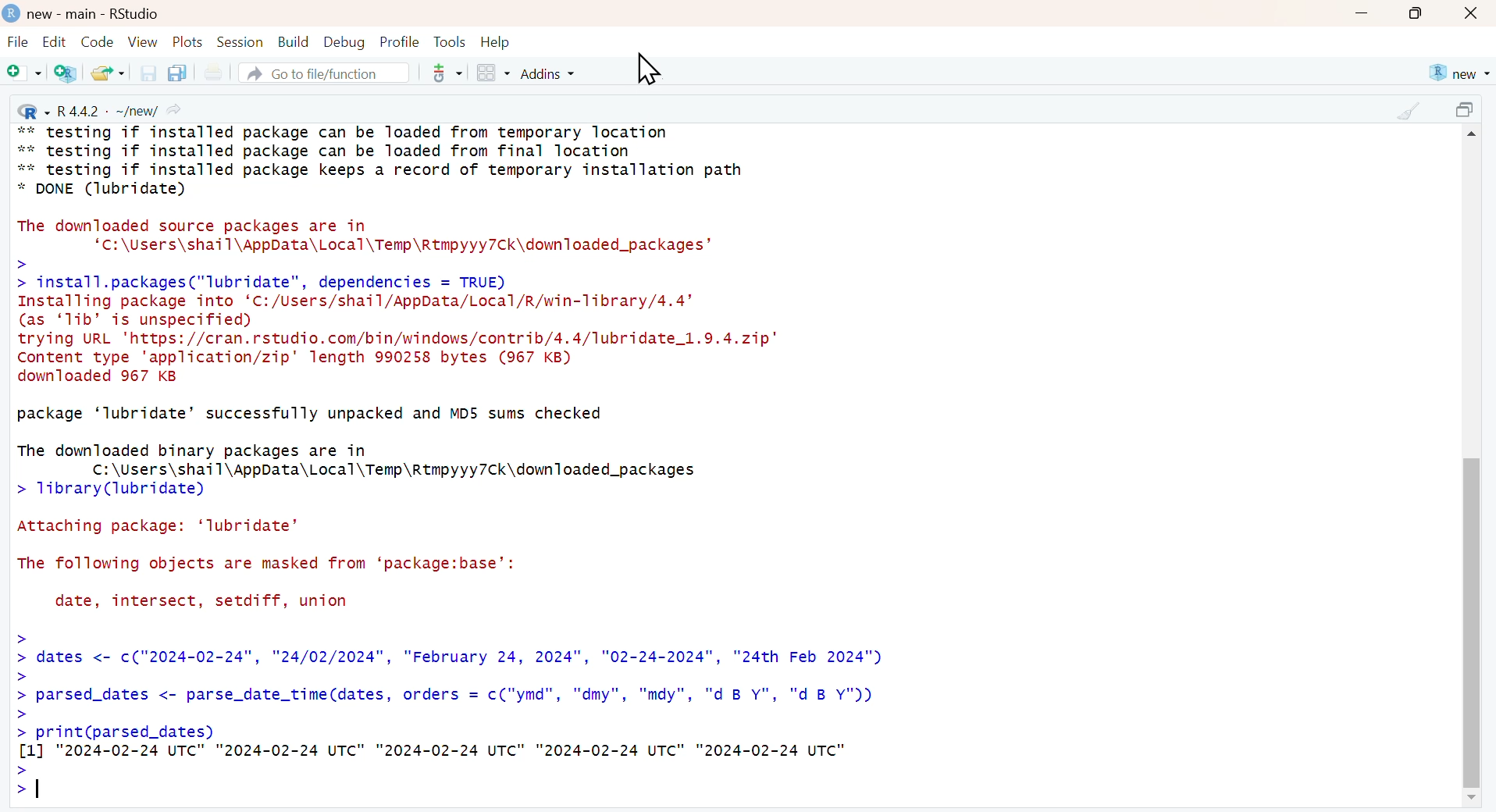  What do you see at coordinates (1473, 14) in the screenshot?
I see `close` at bounding box center [1473, 14].